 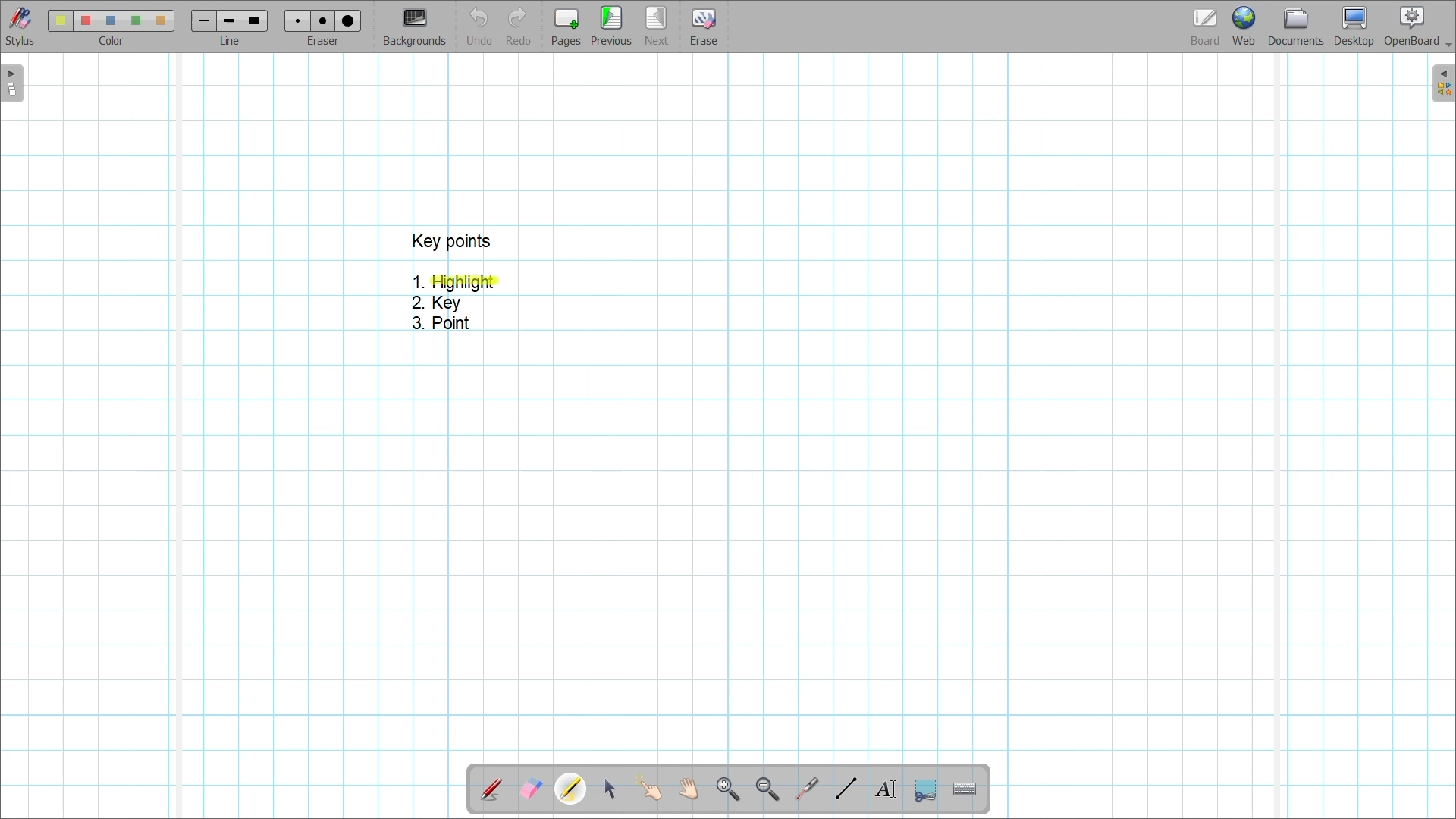 What do you see at coordinates (438, 303) in the screenshot?
I see `2. Key` at bounding box center [438, 303].